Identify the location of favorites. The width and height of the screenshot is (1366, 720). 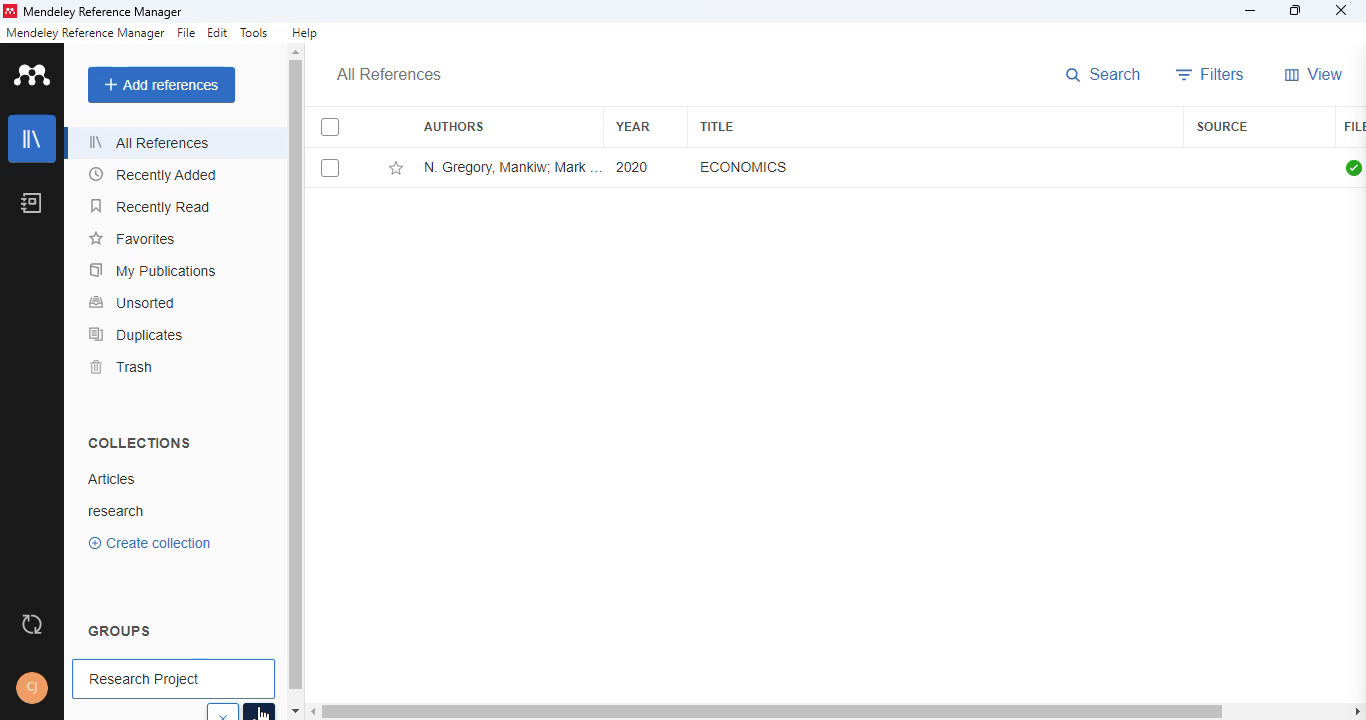
(134, 239).